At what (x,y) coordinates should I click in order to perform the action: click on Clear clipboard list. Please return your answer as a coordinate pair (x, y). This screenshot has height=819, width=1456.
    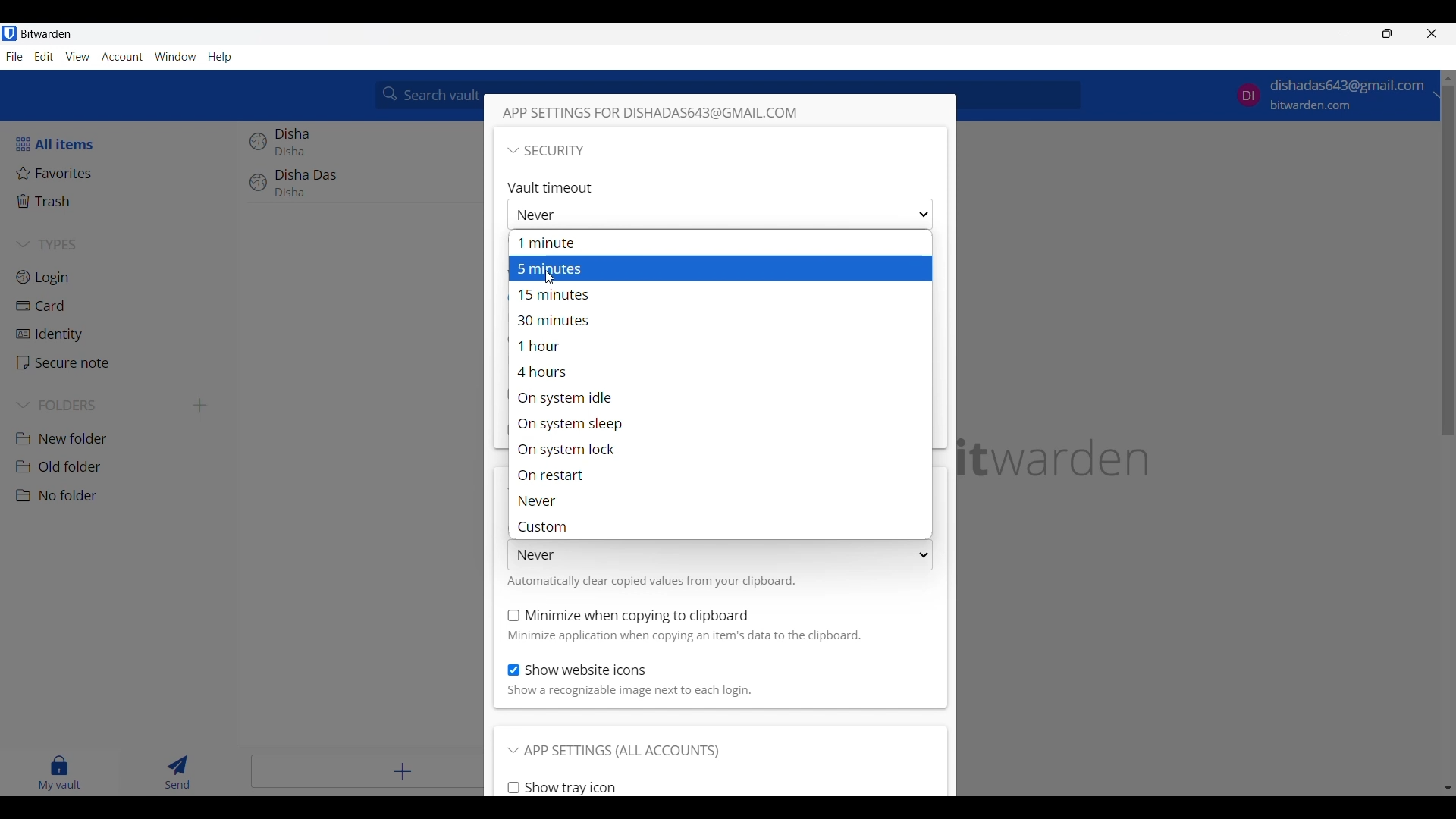
    Looking at the image, I should click on (720, 555).